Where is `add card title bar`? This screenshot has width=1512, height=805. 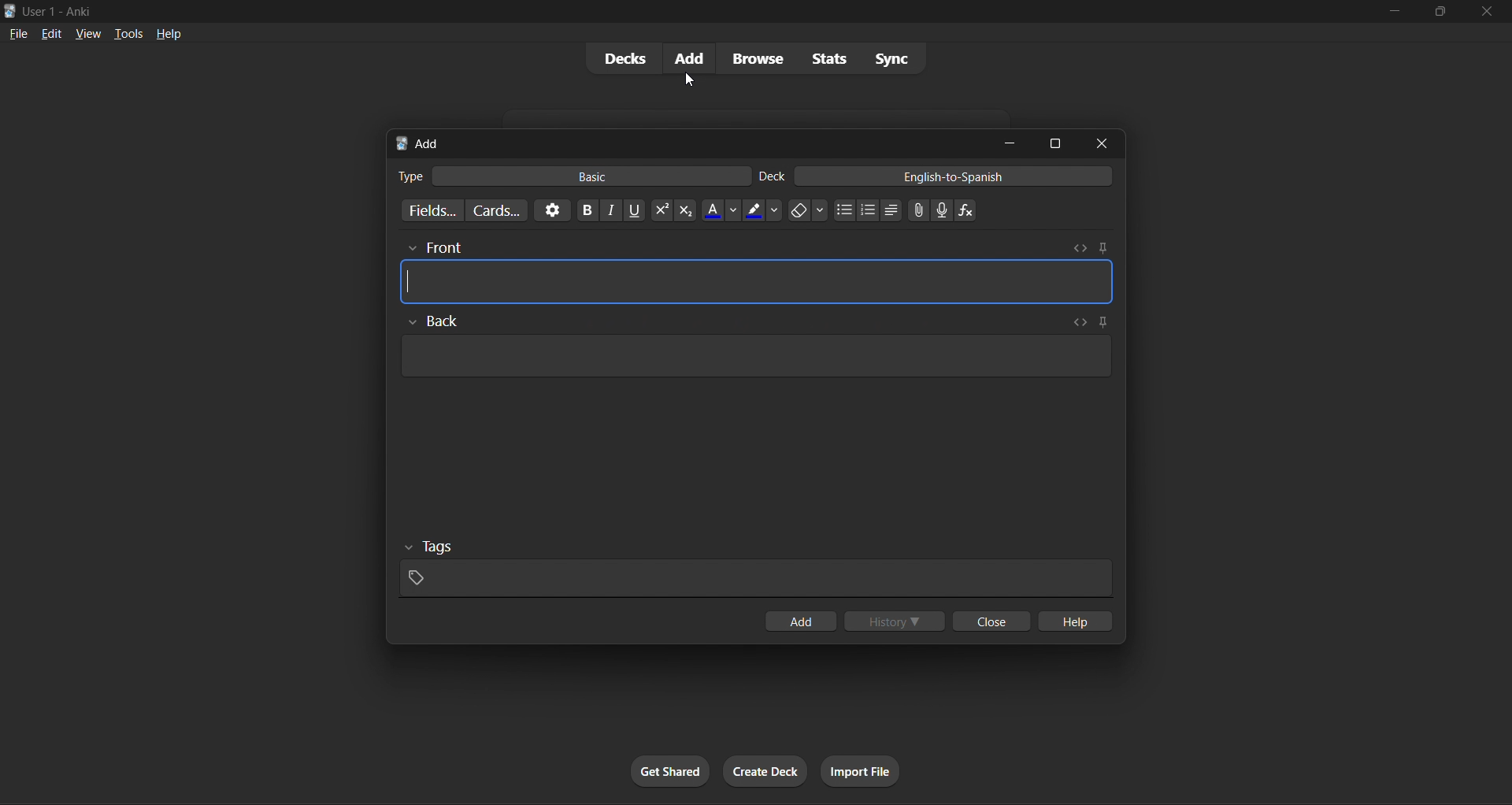
add card title bar is located at coordinates (685, 140).